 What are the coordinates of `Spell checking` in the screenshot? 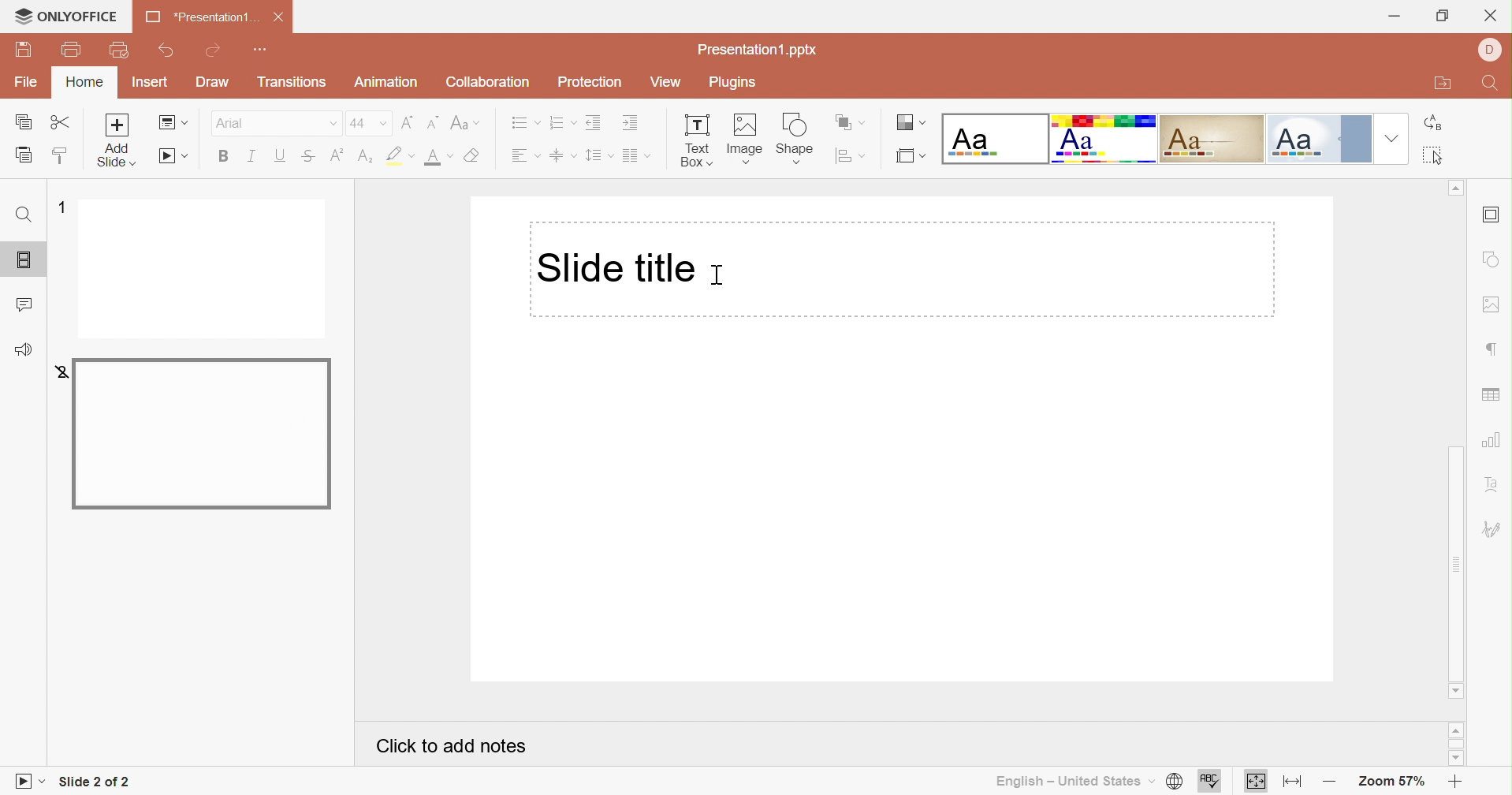 It's located at (1208, 782).